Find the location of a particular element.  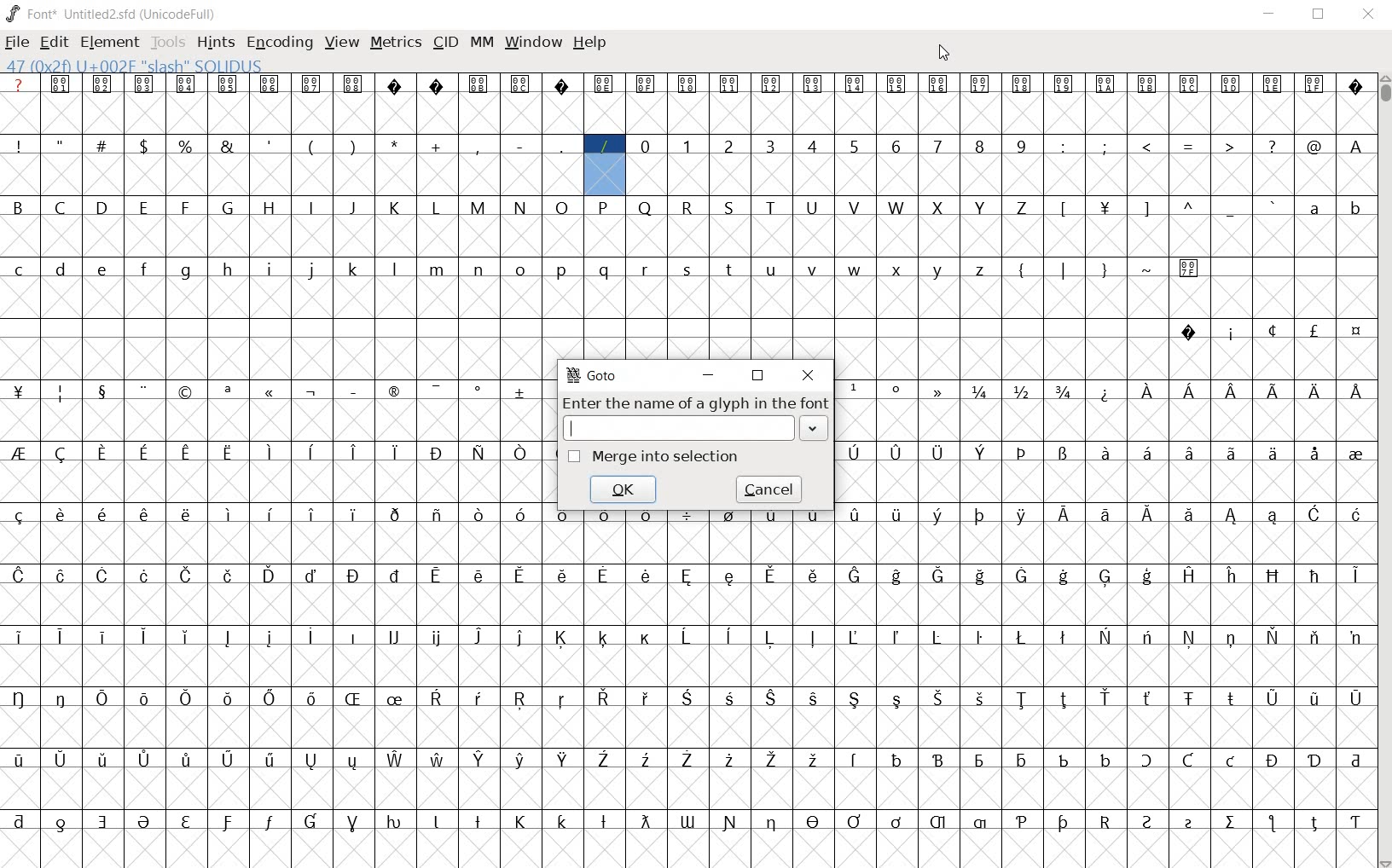

glyph is located at coordinates (143, 207).